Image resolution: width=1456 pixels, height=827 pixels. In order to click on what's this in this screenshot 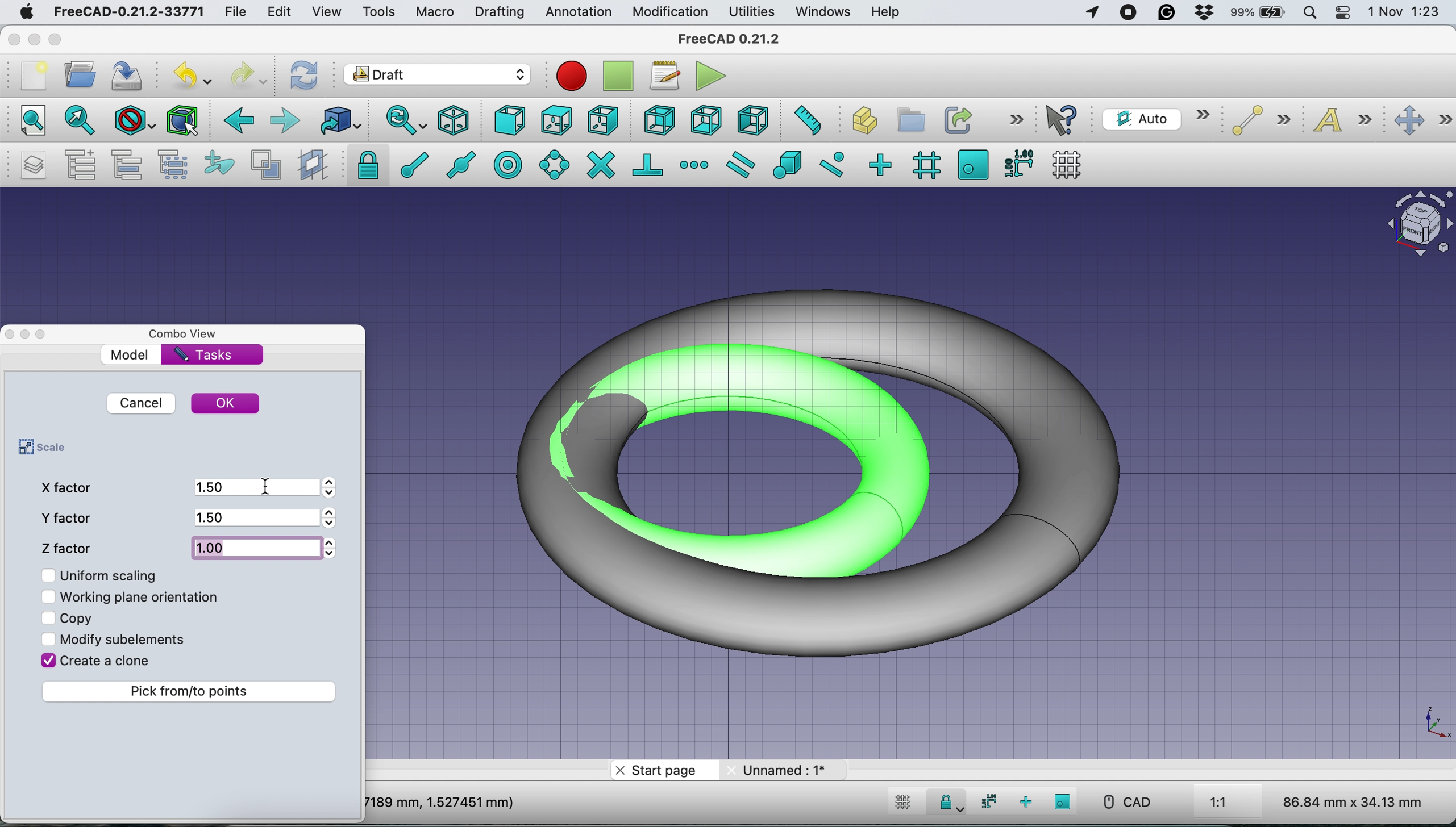, I will do `click(1065, 120)`.